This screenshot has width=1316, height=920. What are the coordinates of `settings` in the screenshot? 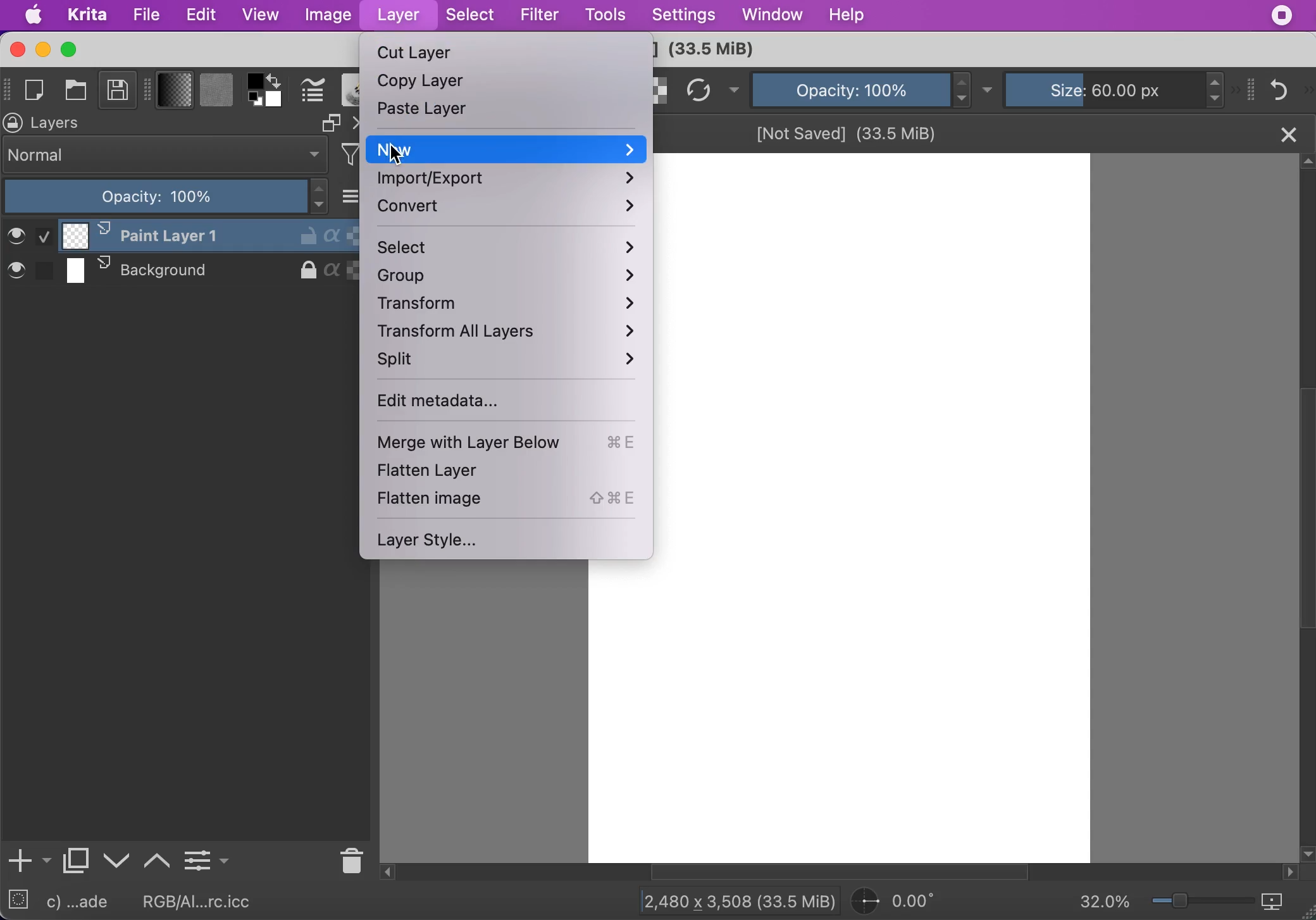 It's located at (683, 16).